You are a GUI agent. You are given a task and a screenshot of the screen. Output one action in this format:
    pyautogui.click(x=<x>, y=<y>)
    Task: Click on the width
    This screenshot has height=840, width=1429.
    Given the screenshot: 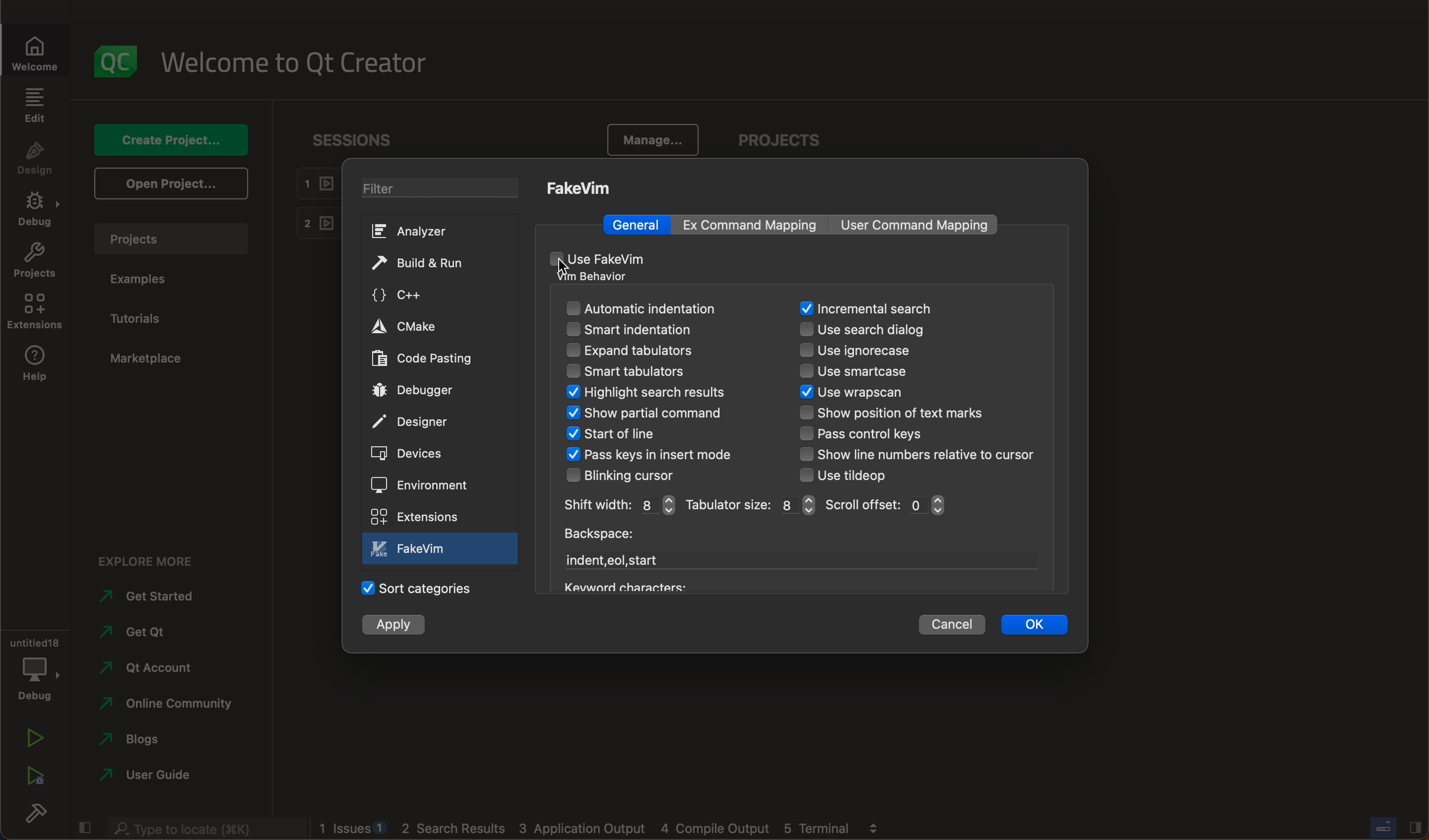 What is the action you would take?
    pyautogui.click(x=618, y=506)
    